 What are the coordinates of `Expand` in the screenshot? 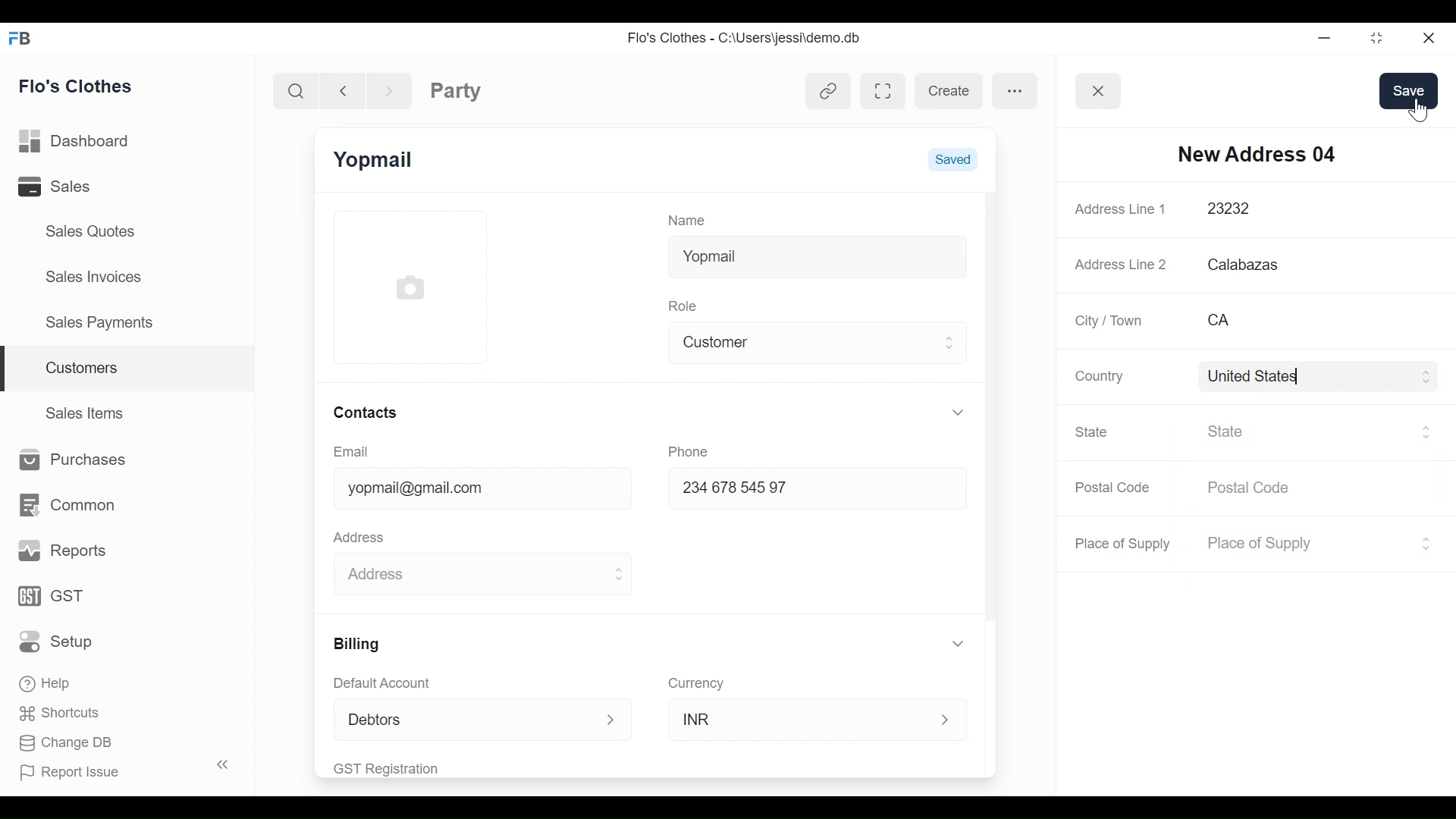 It's located at (1425, 543).